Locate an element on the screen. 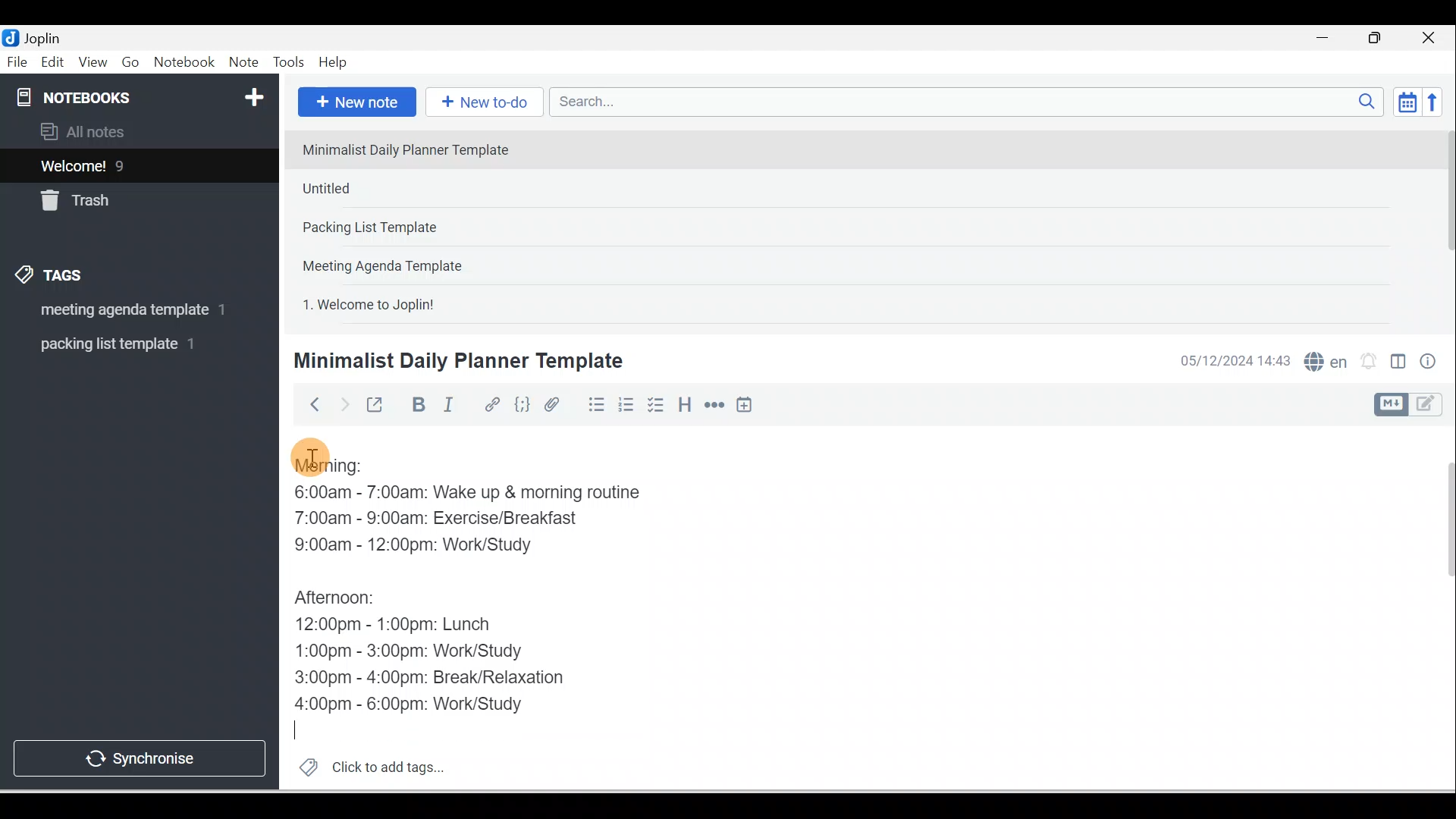  Horizontal rule is located at coordinates (716, 405).